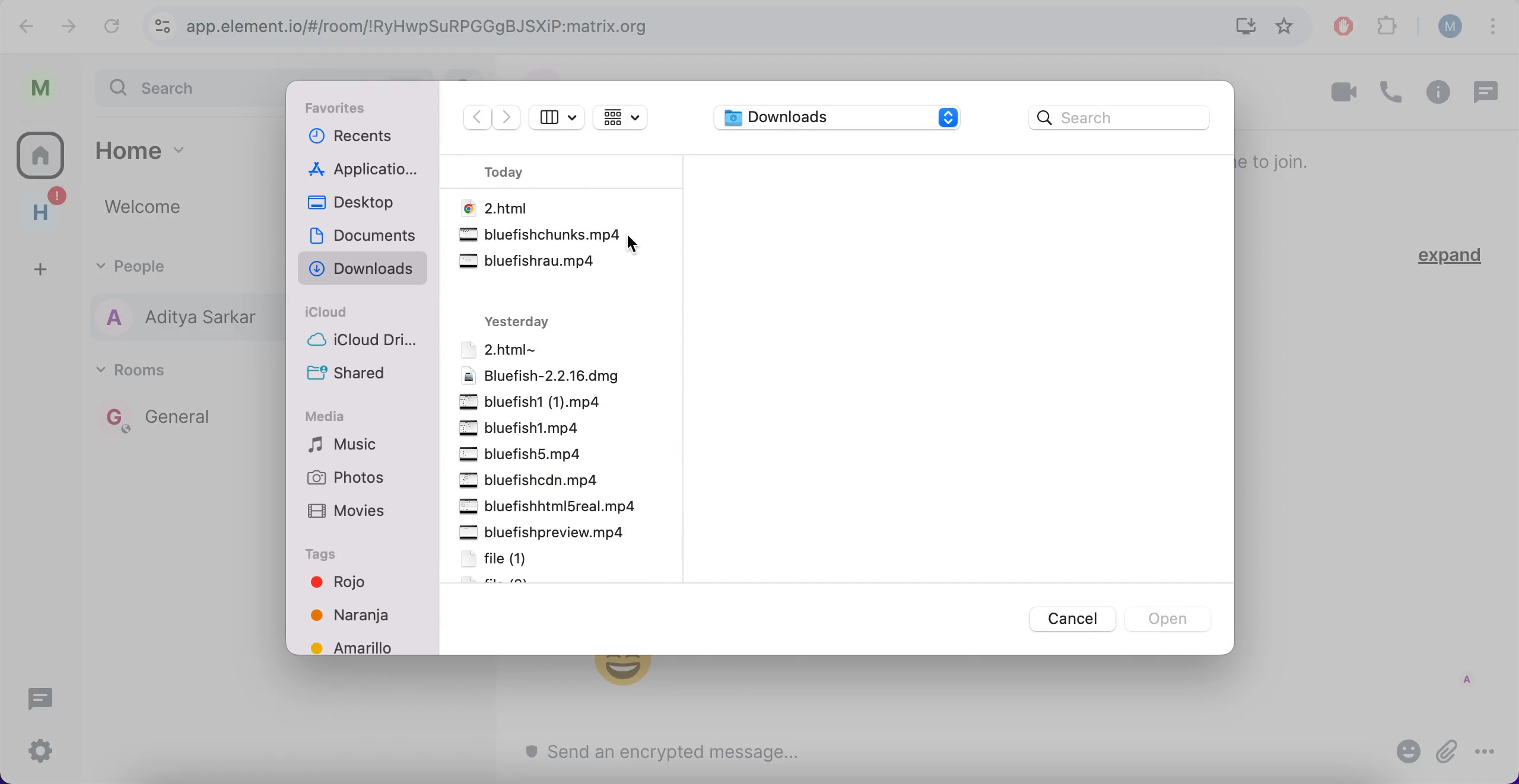 Image resolution: width=1519 pixels, height=784 pixels. What do you see at coordinates (560, 120) in the screenshot?
I see `show sidebar` at bounding box center [560, 120].